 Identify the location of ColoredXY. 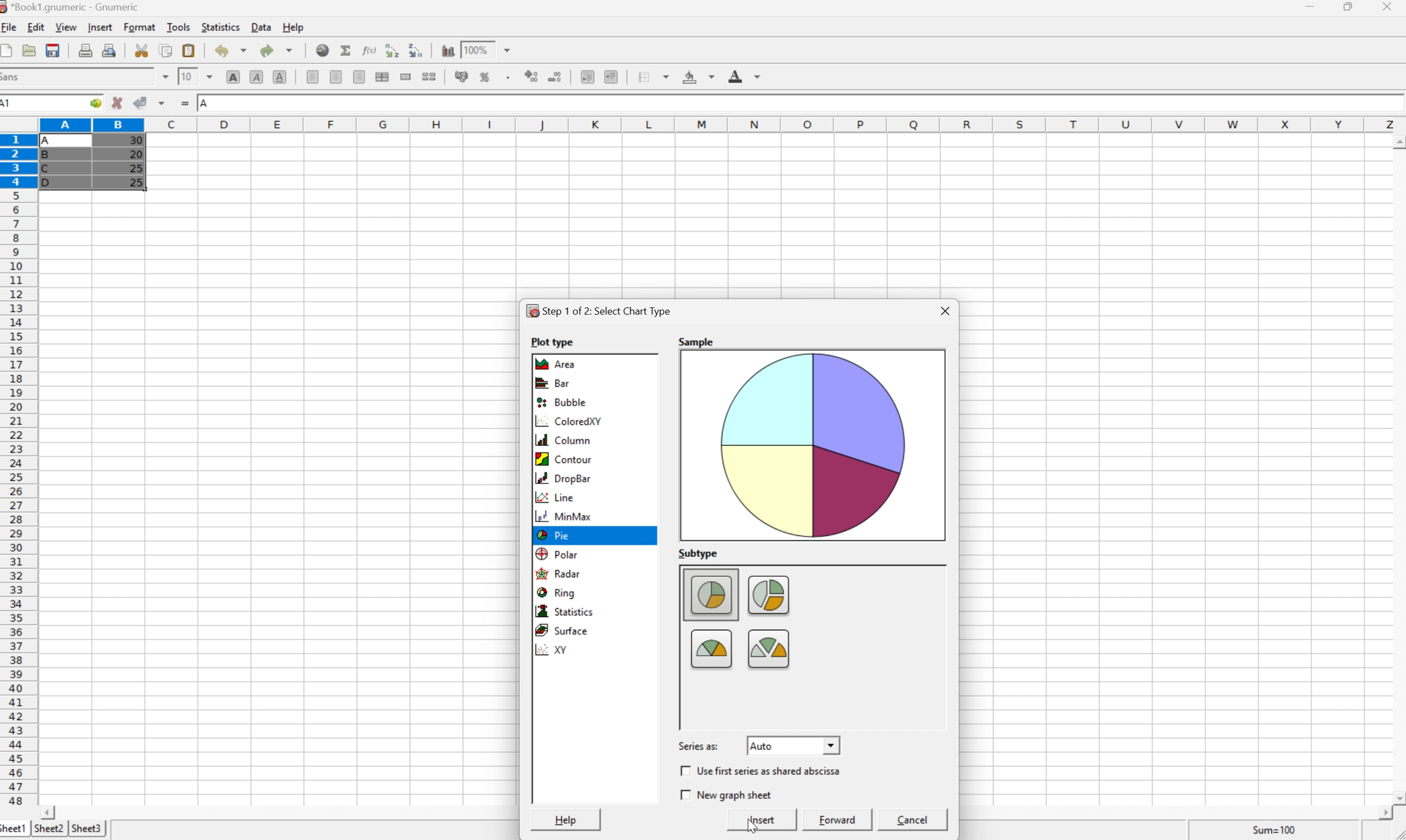
(568, 422).